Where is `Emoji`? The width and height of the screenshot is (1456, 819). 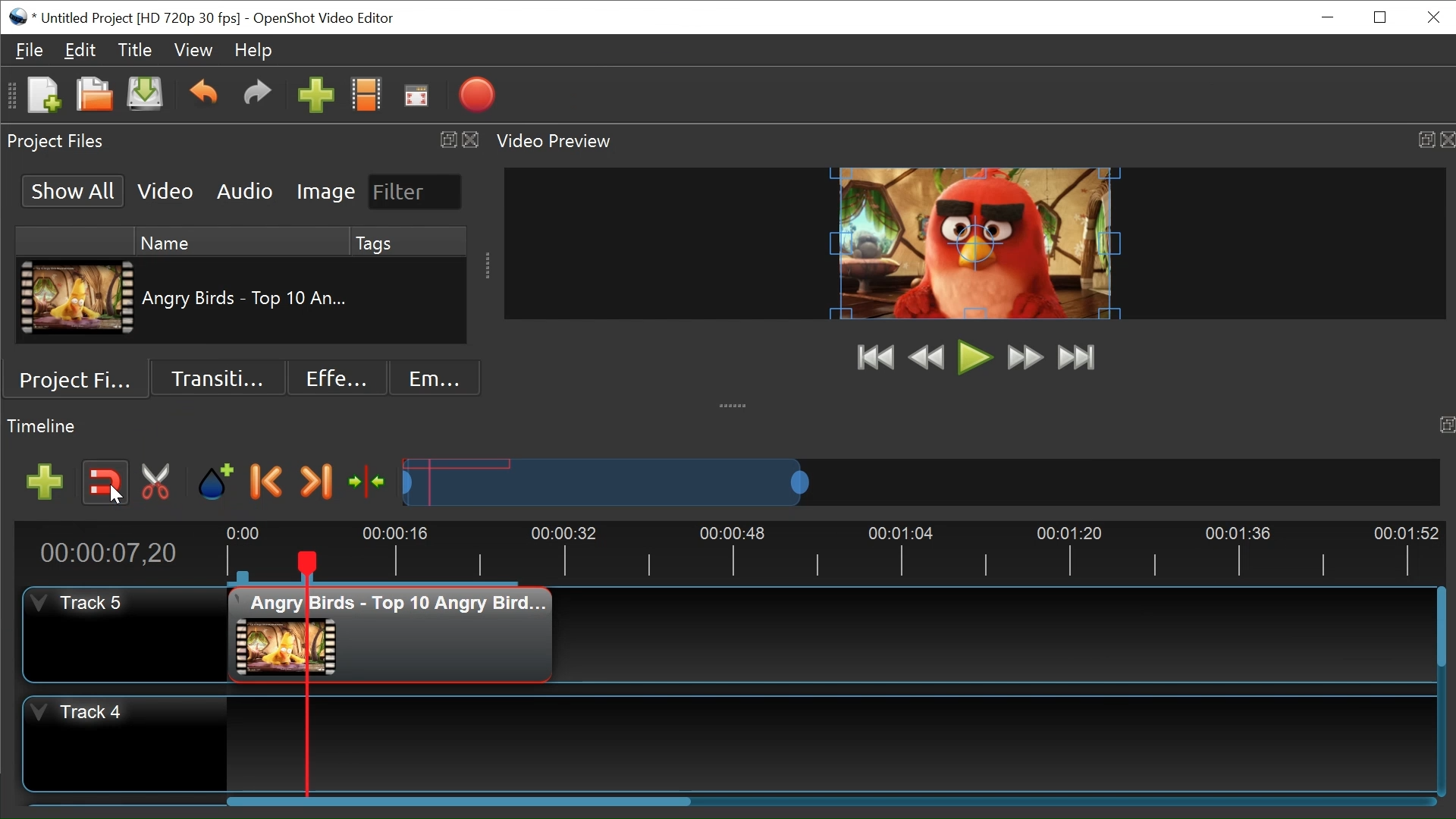 Emoji is located at coordinates (435, 379).